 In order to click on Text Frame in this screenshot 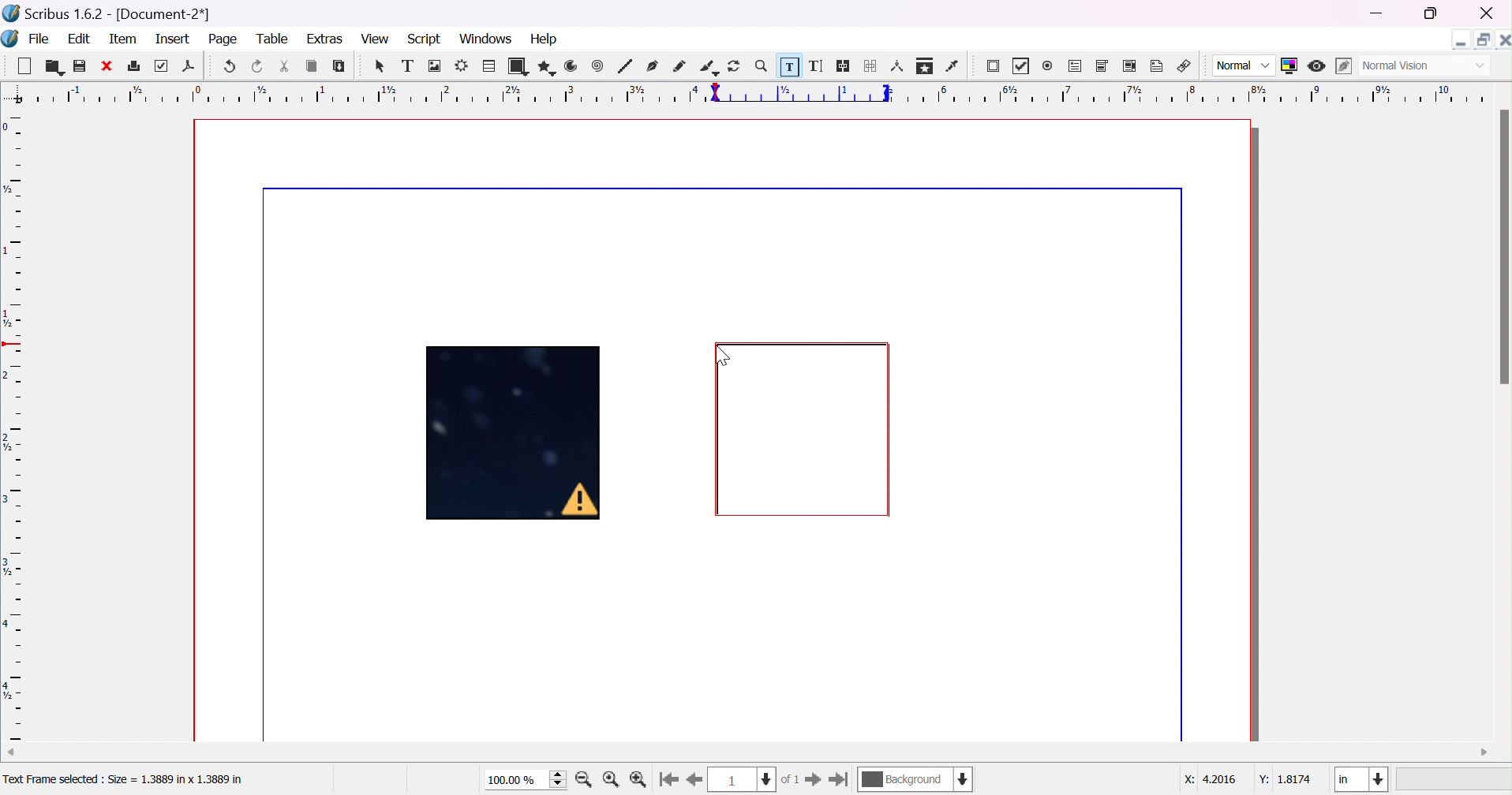, I will do `click(804, 430)`.